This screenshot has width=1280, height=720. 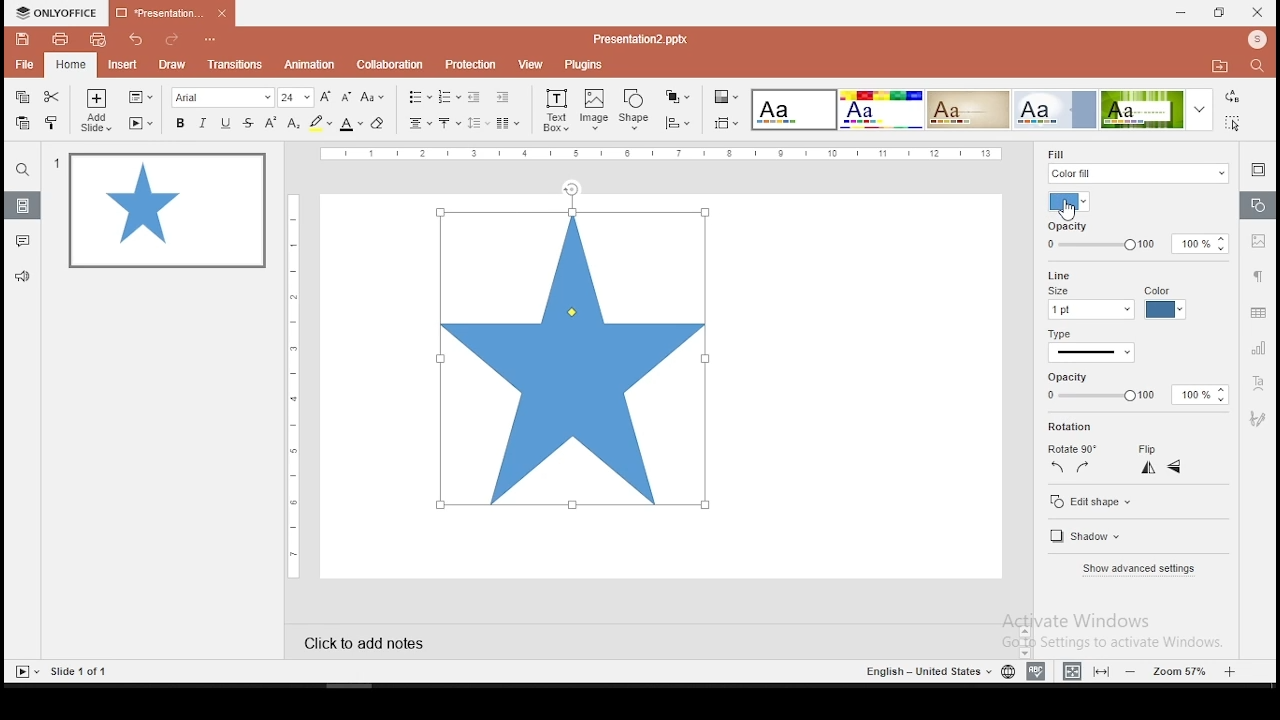 What do you see at coordinates (235, 67) in the screenshot?
I see `transitions` at bounding box center [235, 67].